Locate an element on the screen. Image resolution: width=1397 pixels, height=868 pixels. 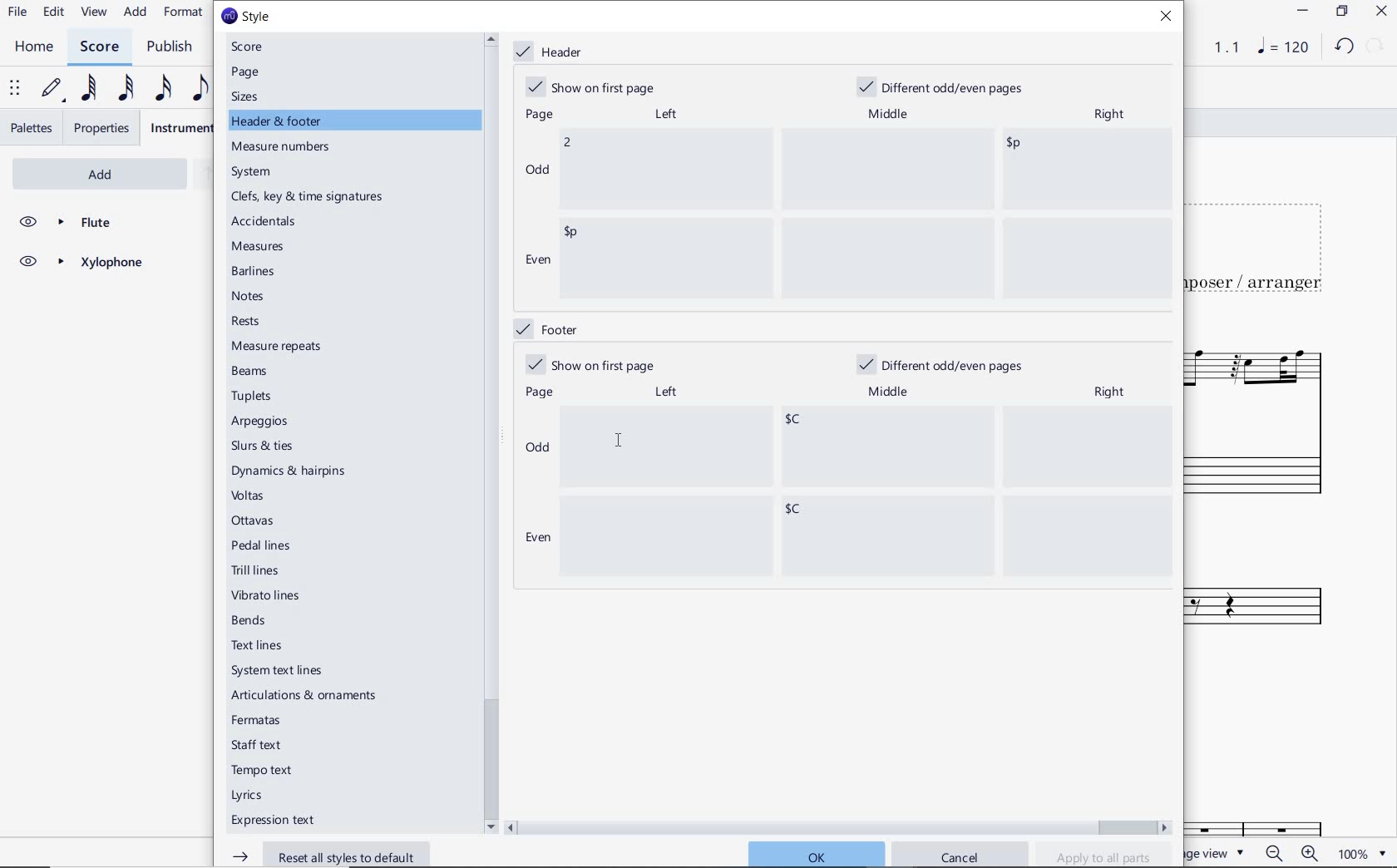
apply to all parts is located at coordinates (1104, 856).